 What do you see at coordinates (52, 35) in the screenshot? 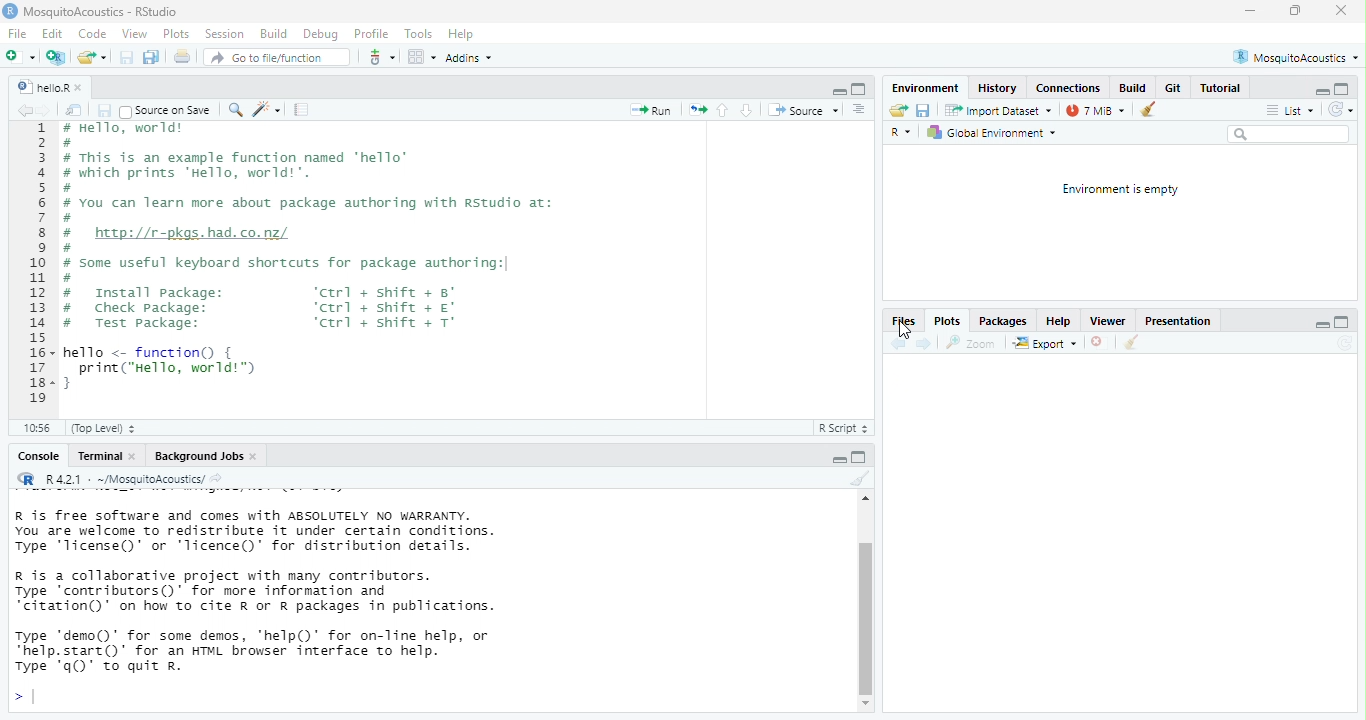
I see `edit` at bounding box center [52, 35].